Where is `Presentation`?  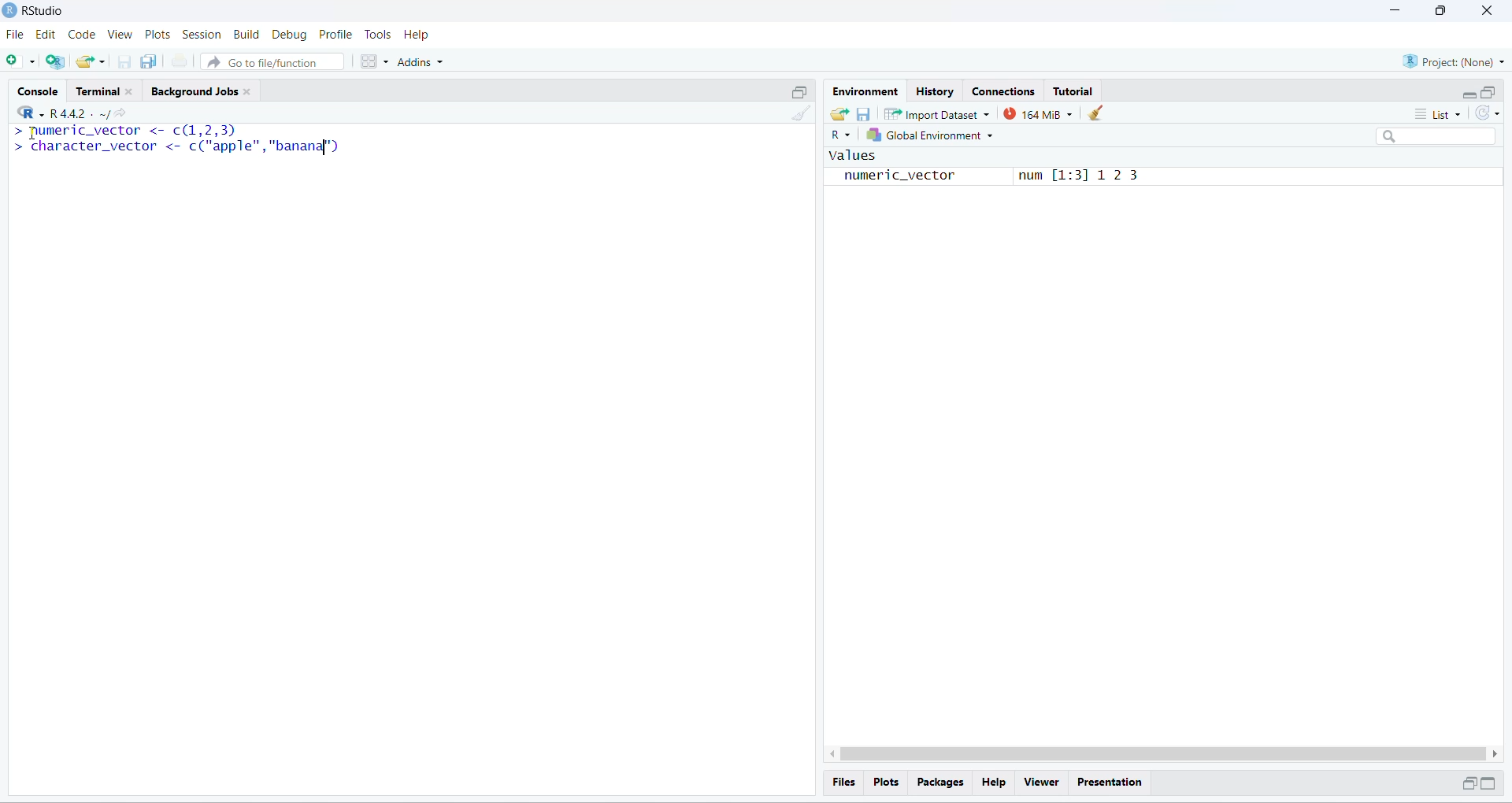 Presentation is located at coordinates (1111, 783).